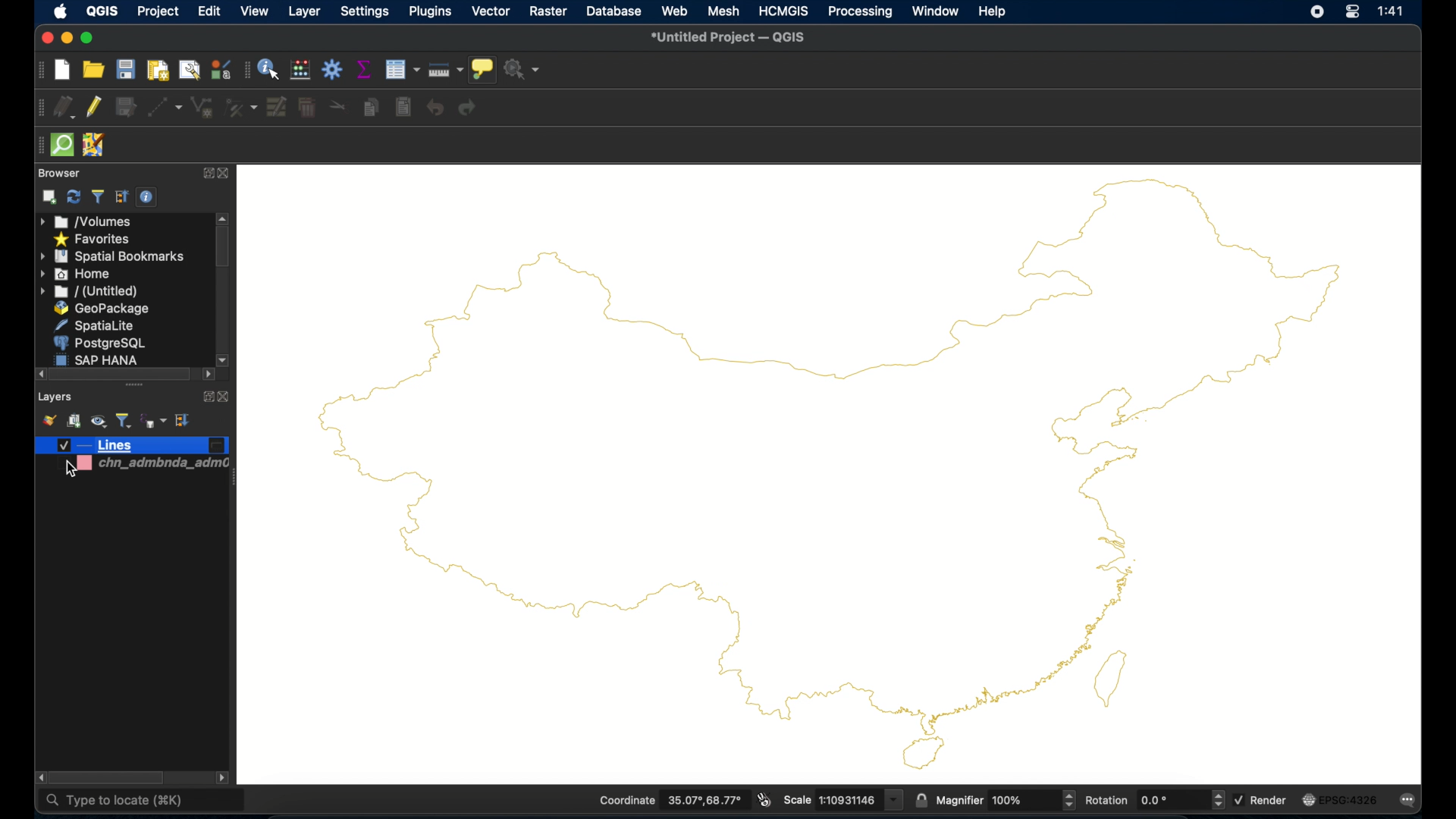 This screenshot has height=819, width=1456. What do you see at coordinates (152, 421) in the screenshot?
I see `filter legend by expression` at bounding box center [152, 421].